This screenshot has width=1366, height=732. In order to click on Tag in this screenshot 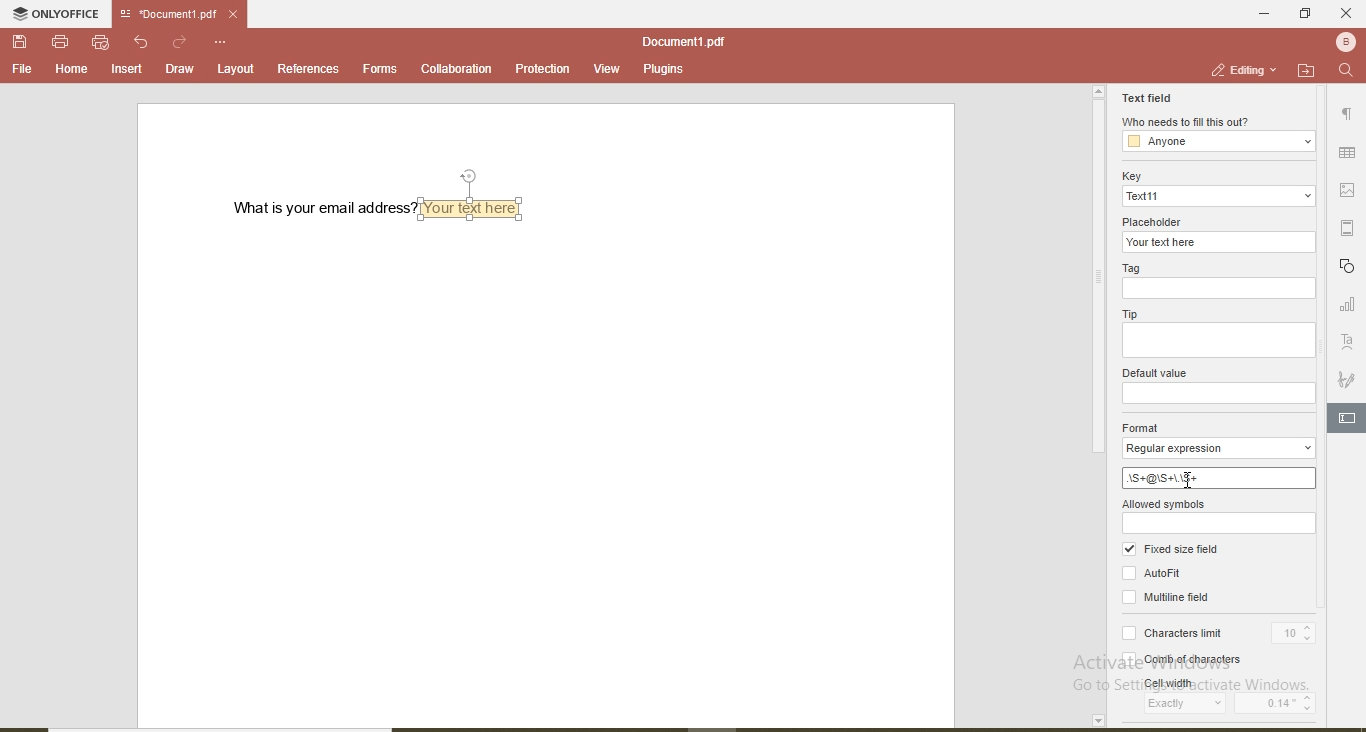, I will do `click(1136, 267)`.